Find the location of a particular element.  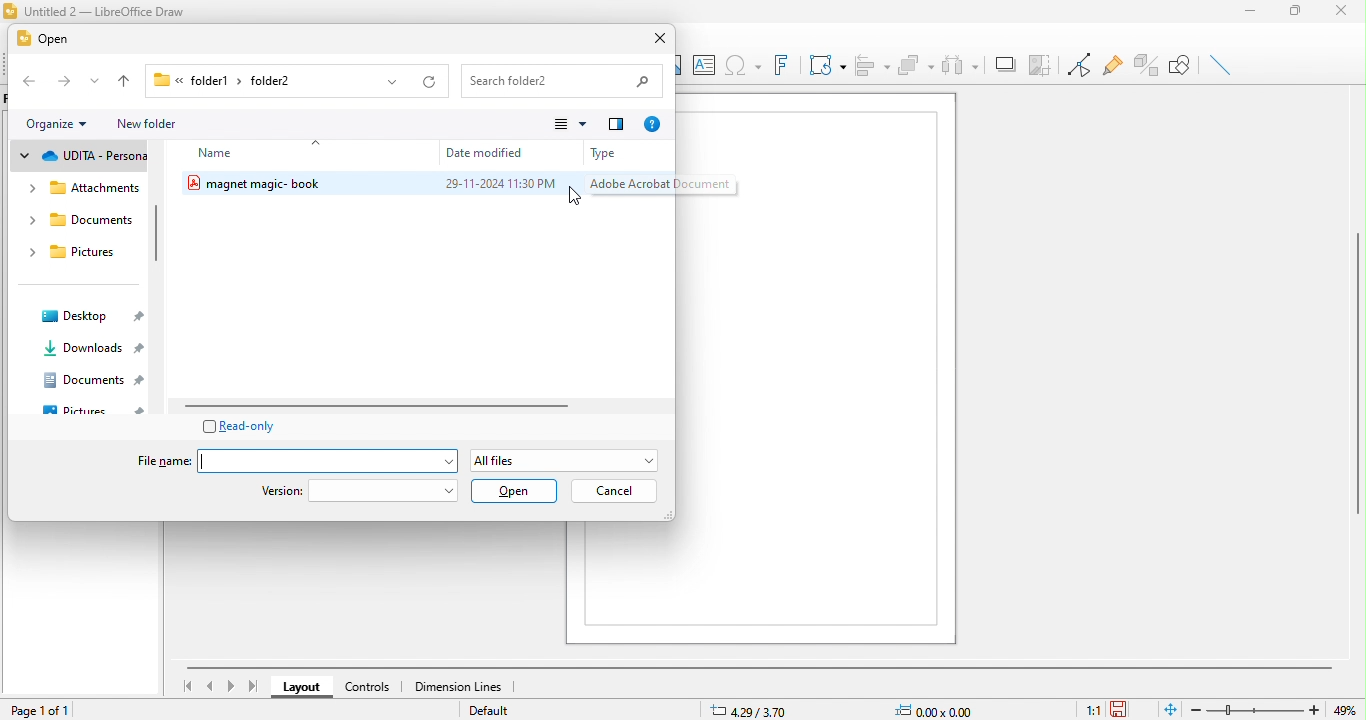

picture is located at coordinates (94, 408).